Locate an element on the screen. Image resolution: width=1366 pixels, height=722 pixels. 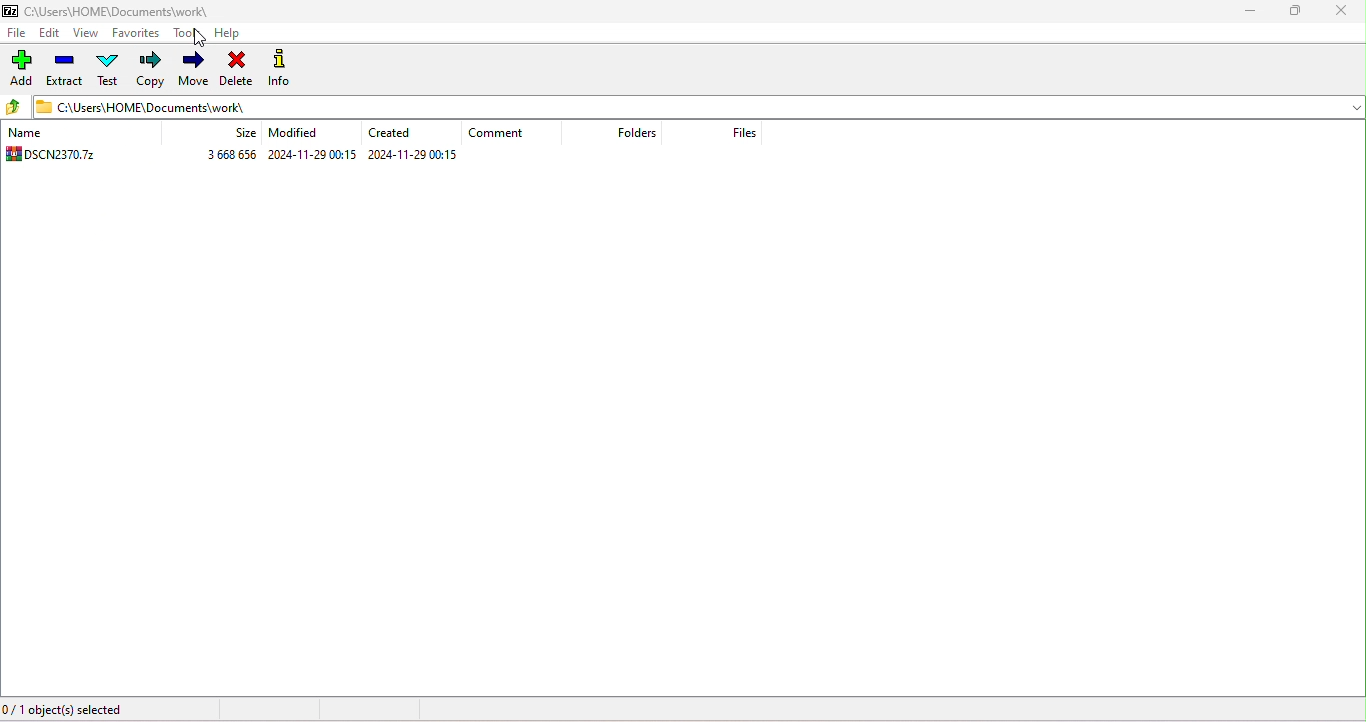
info is located at coordinates (286, 70).